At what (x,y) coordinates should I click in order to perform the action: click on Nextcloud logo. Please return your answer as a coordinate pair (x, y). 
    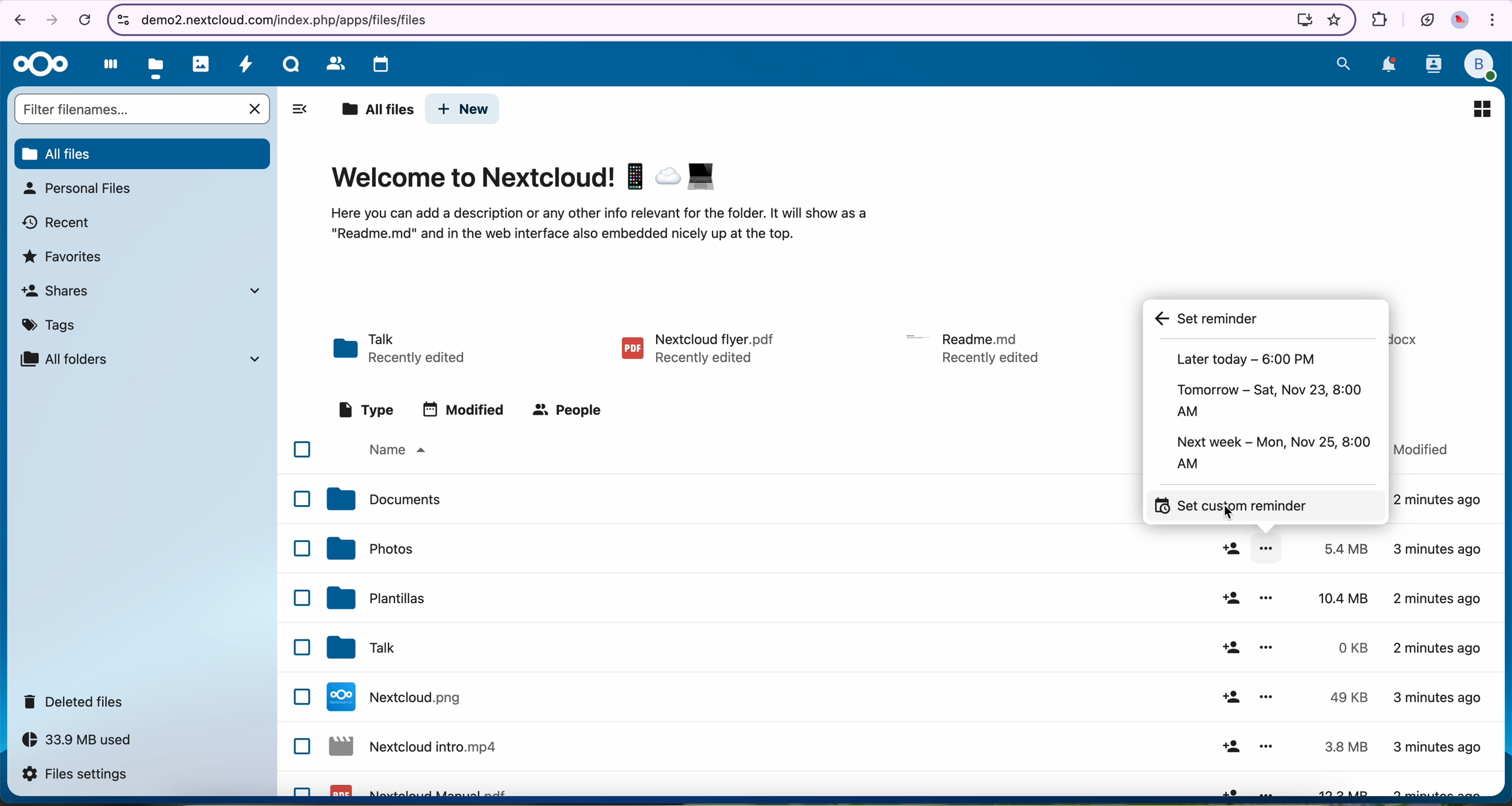
    Looking at the image, I should click on (39, 65).